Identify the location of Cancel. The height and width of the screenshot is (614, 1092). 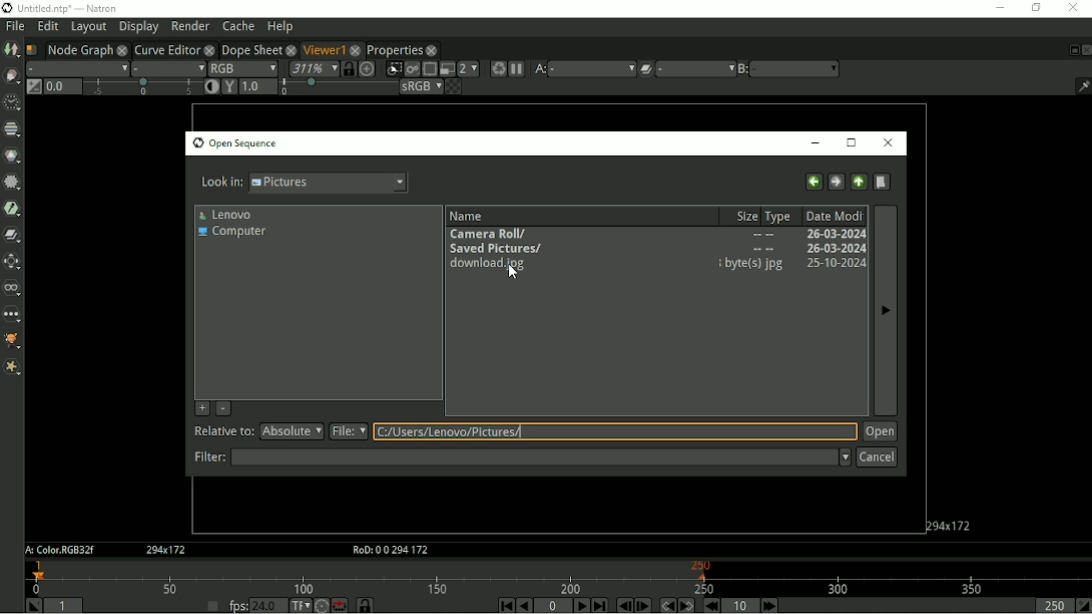
(876, 458).